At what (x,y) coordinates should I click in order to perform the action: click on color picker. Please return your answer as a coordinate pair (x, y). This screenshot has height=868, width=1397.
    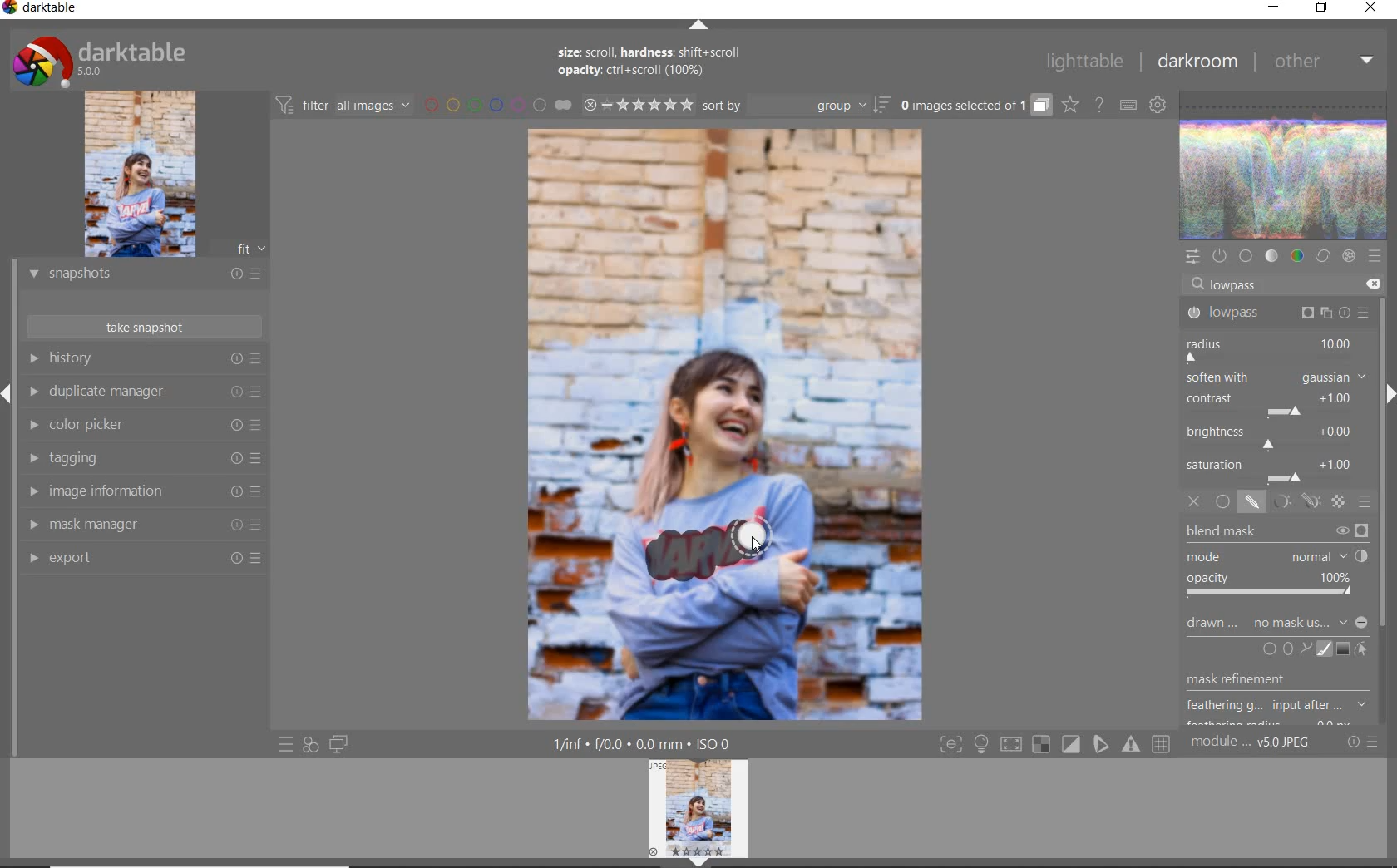
    Looking at the image, I should click on (141, 427).